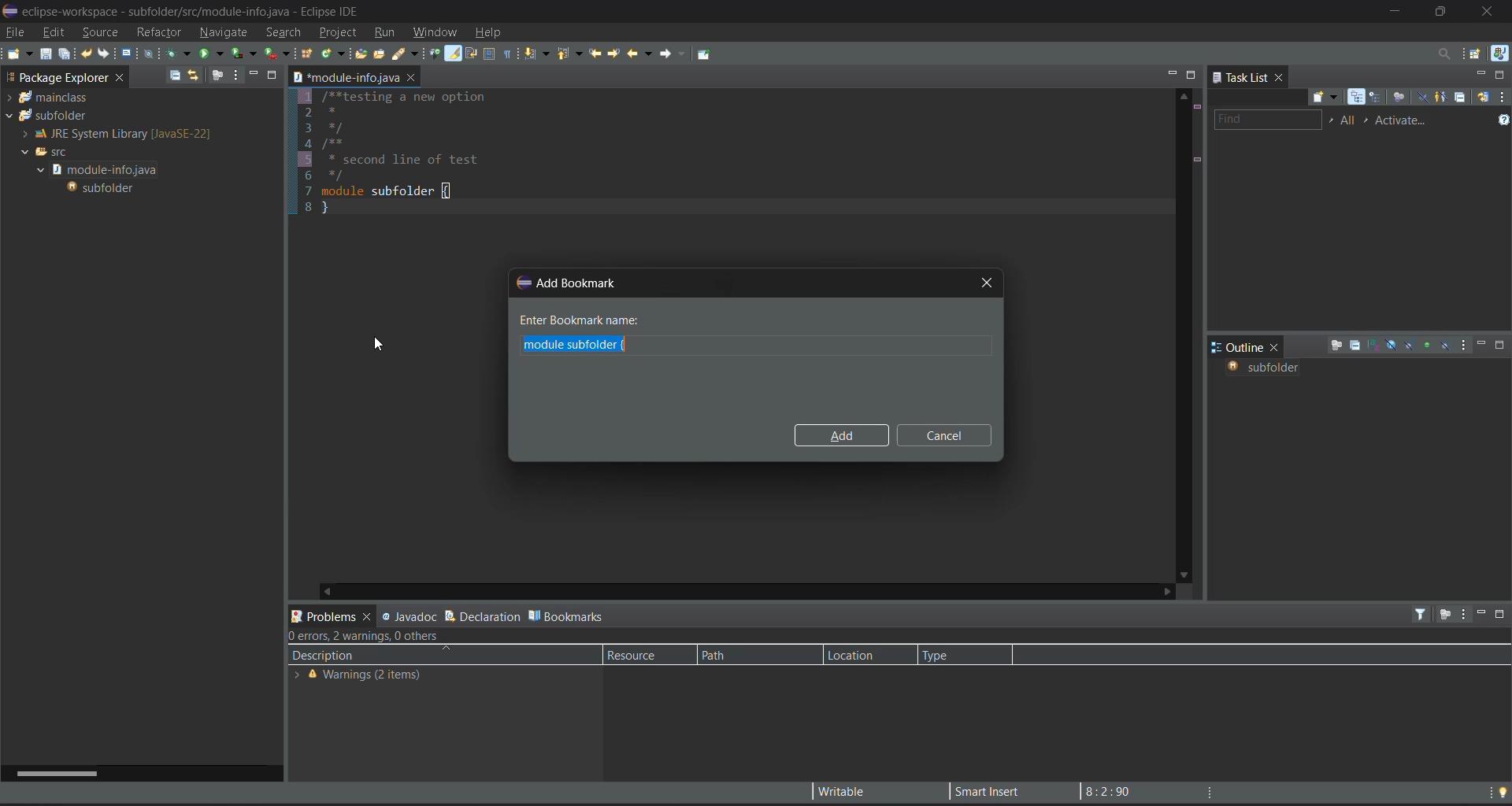 The width and height of the screenshot is (1512, 806). I want to click on JRE System Library [JavaSE-22], so click(113, 135).